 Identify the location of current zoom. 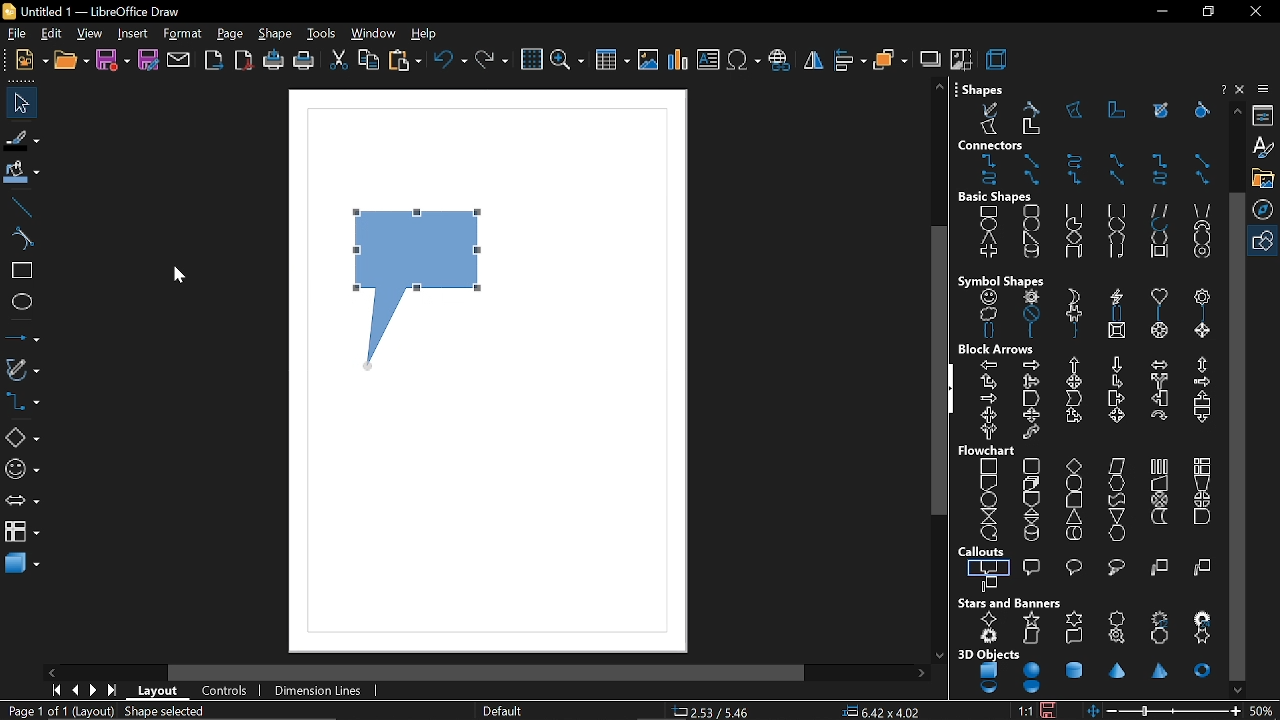
(1263, 711).